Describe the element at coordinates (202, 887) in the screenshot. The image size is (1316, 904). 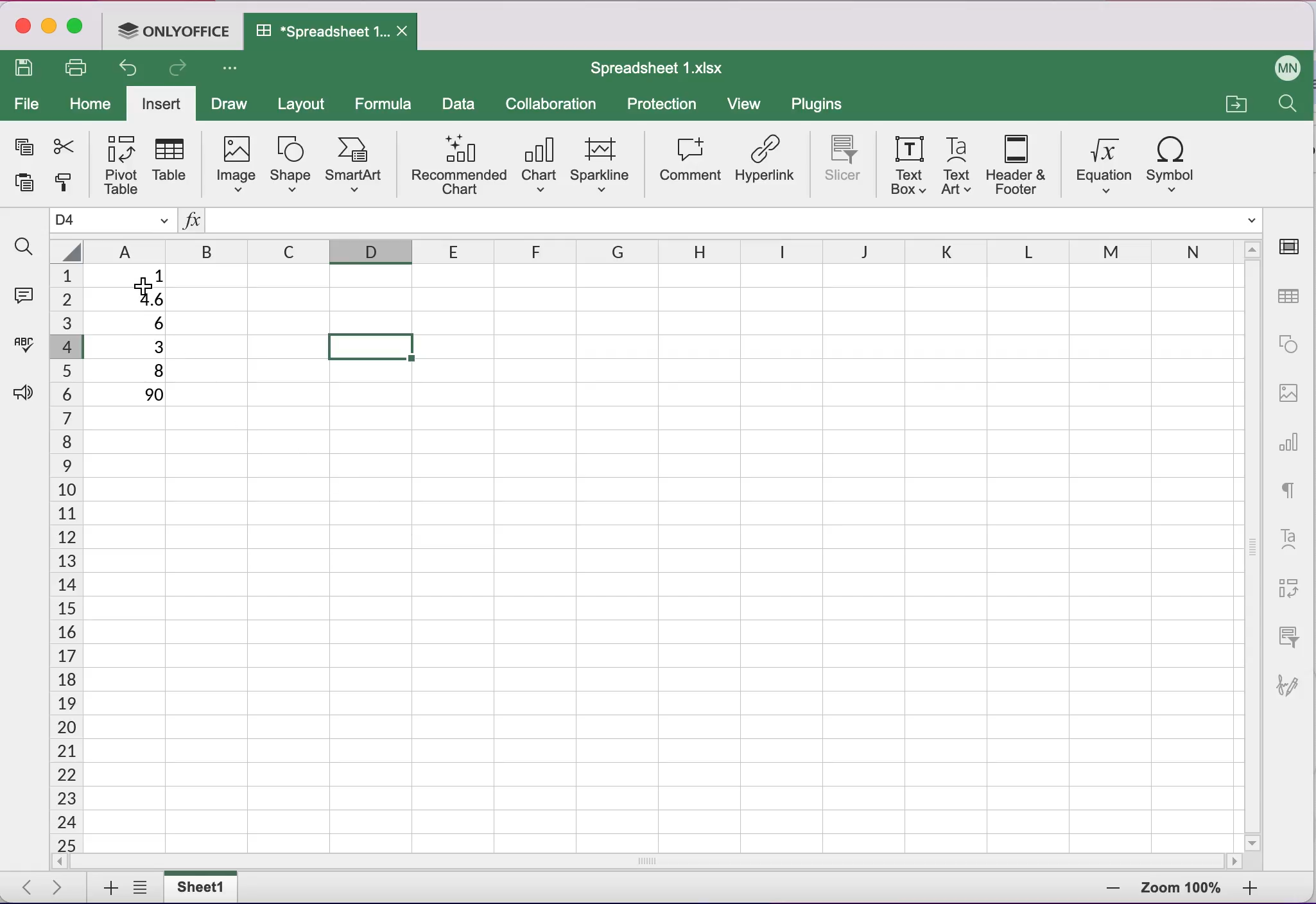
I see `sheet` at that location.